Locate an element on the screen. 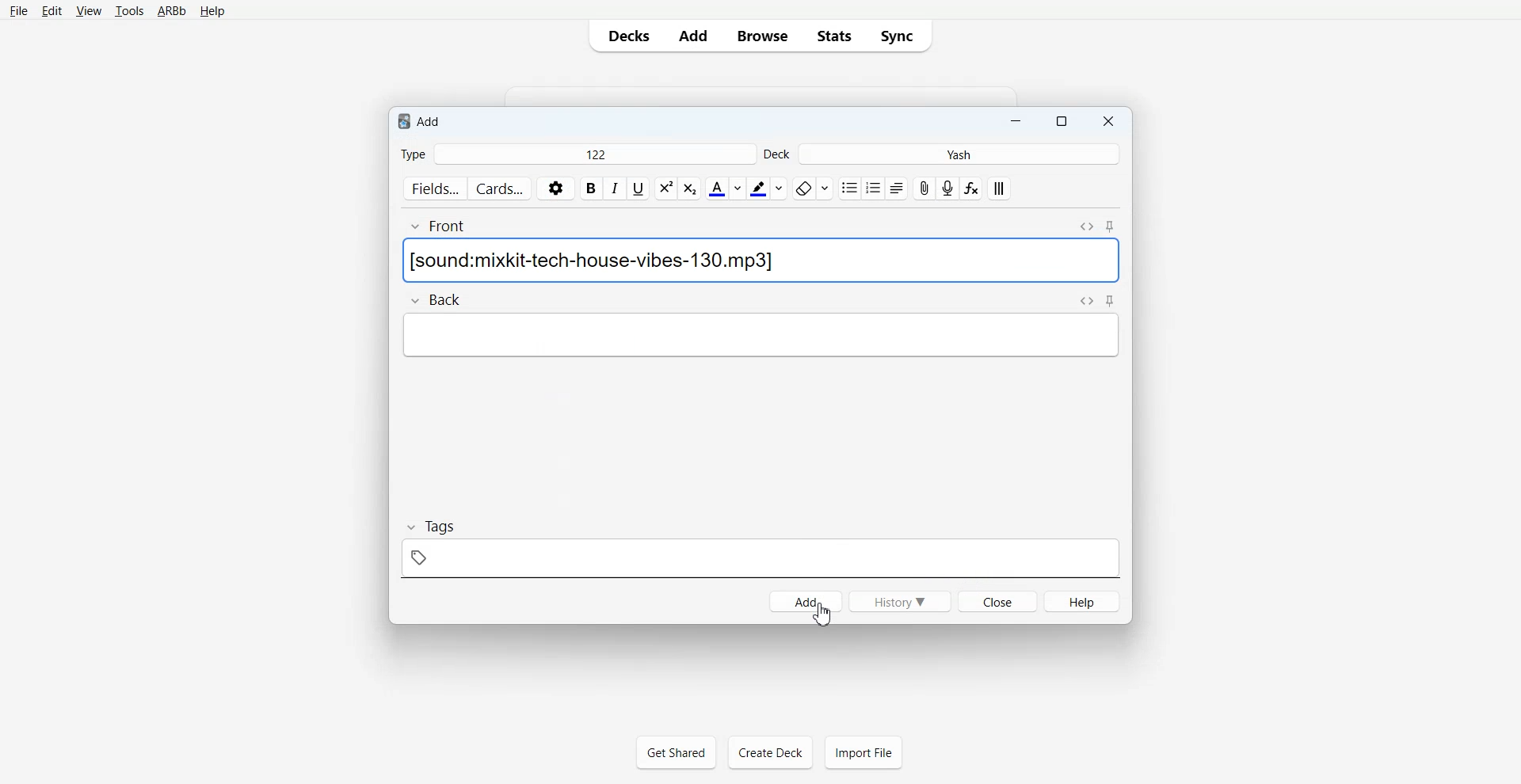 This screenshot has height=784, width=1521. history is located at coordinates (905, 605).